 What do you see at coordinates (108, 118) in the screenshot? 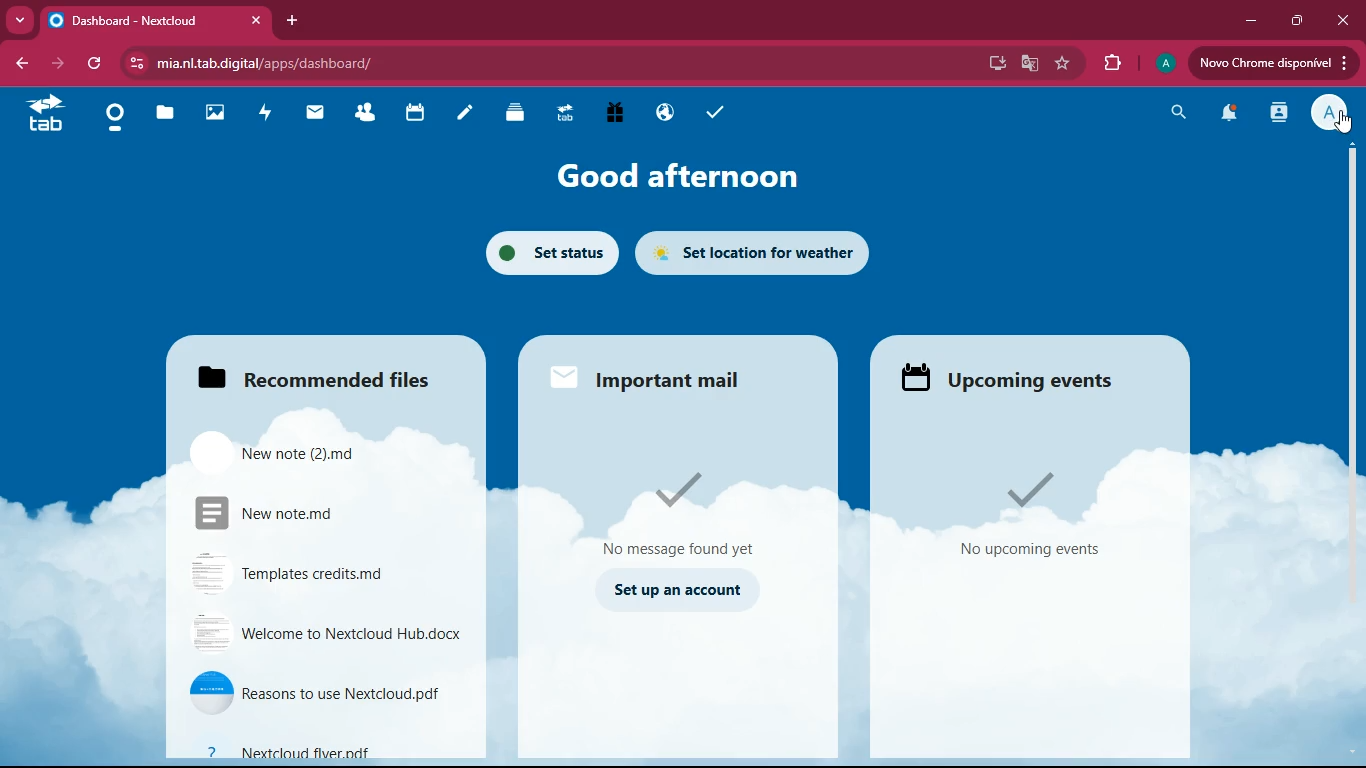
I see `home` at bounding box center [108, 118].